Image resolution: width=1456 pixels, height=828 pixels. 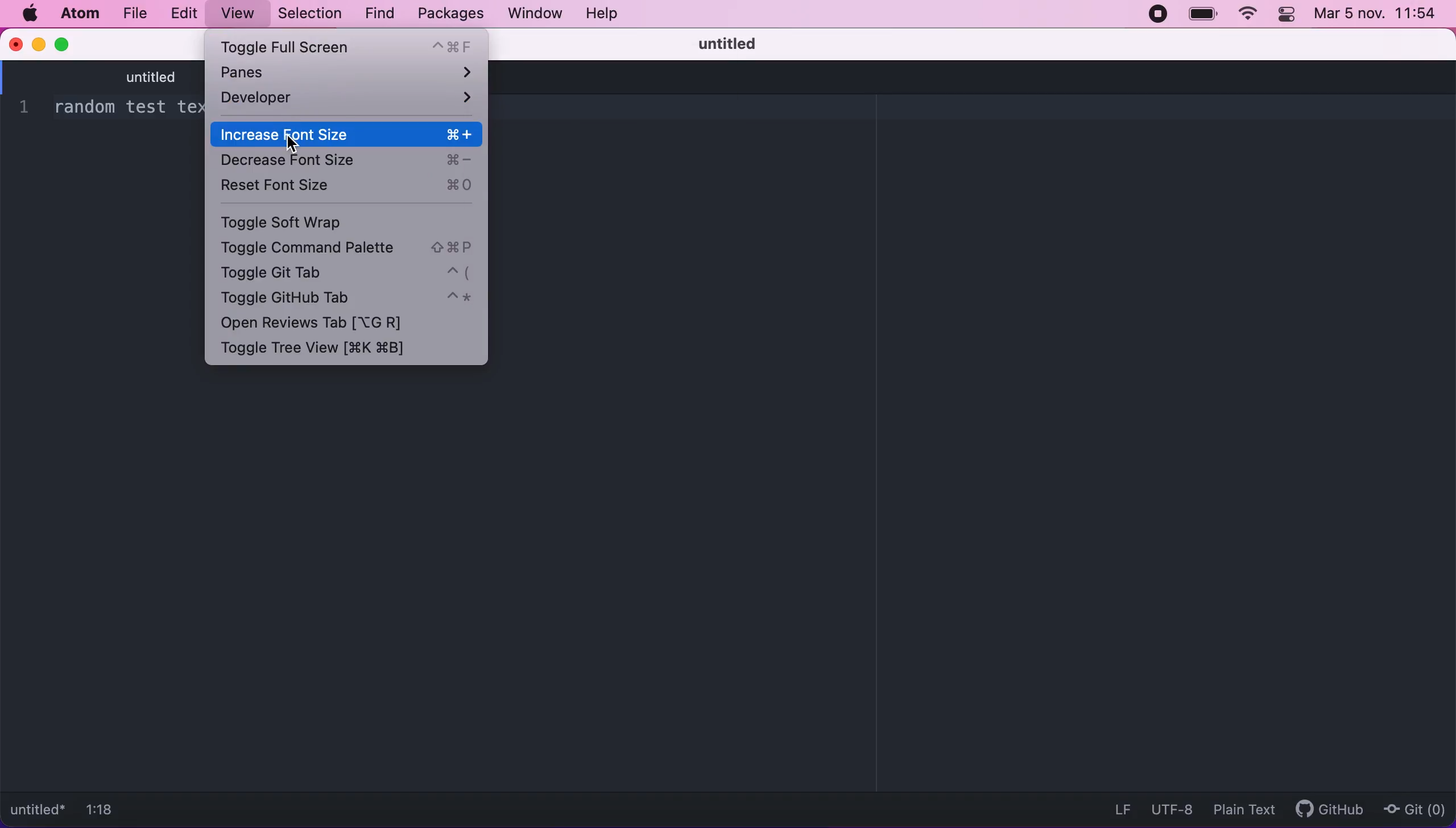 What do you see at coordinates (614, 15) in the screenshot?
I see `help` at bounding box center [614, 15].